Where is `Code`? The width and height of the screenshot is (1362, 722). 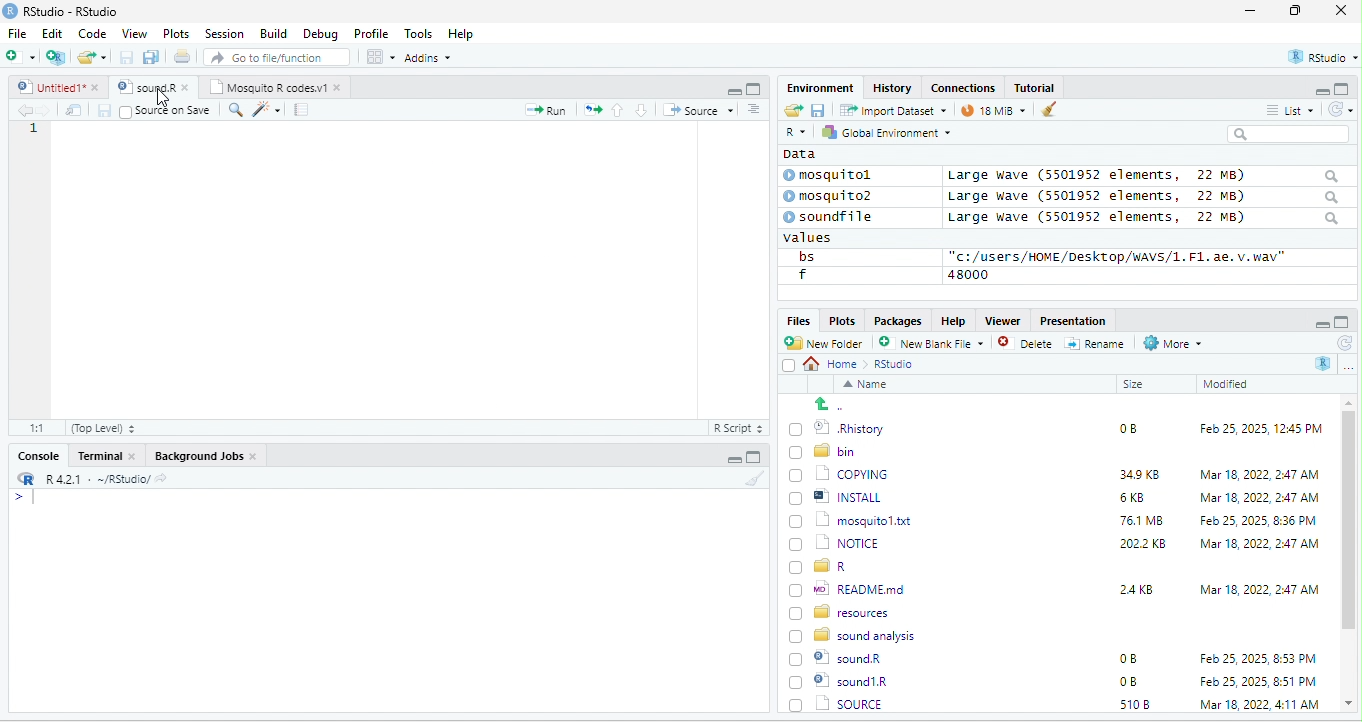
Code is located at coordinates (93, 33).